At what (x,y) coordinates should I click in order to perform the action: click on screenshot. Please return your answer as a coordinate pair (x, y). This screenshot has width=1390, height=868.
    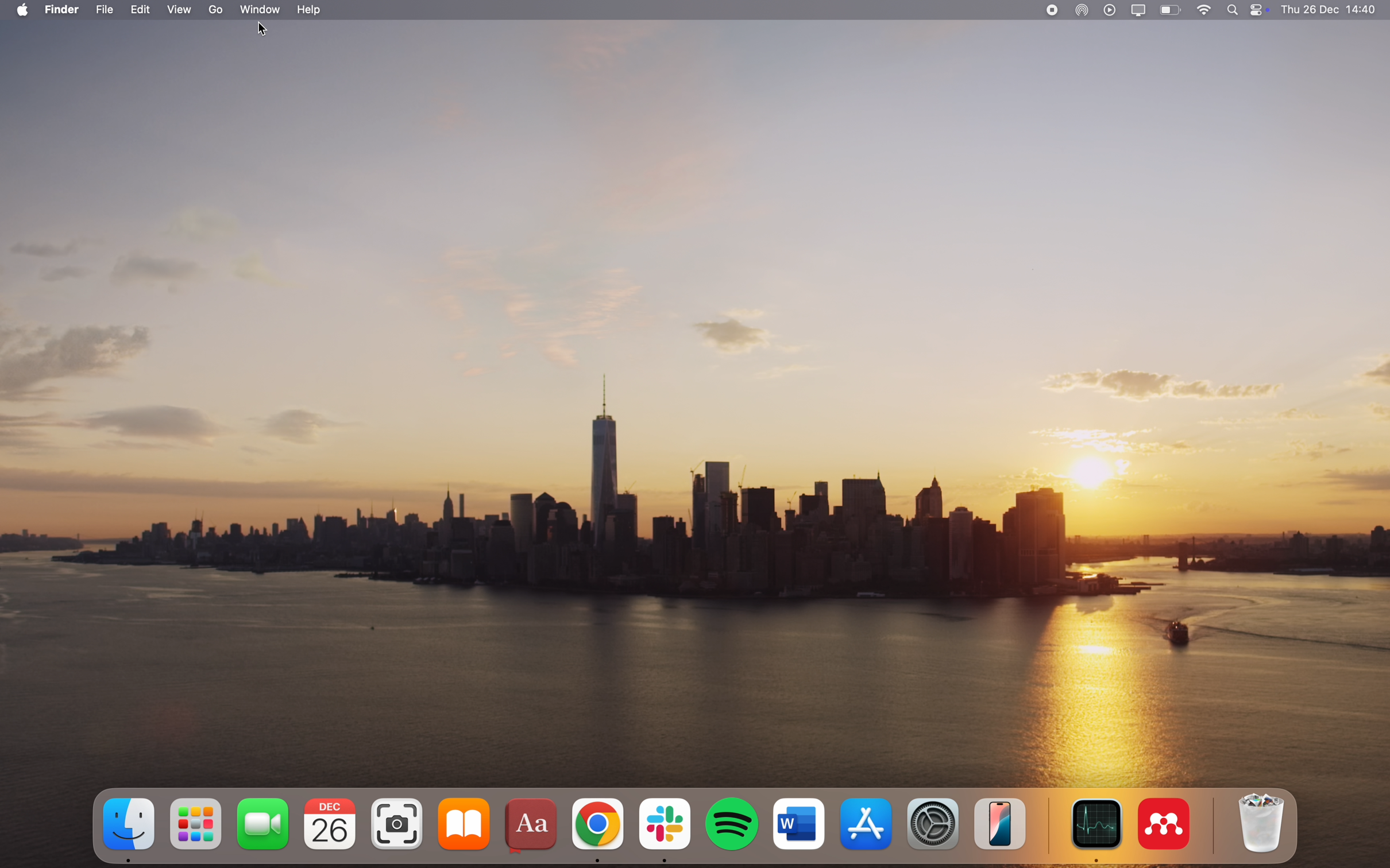
    Looking at the image, I should click on (395, 823).